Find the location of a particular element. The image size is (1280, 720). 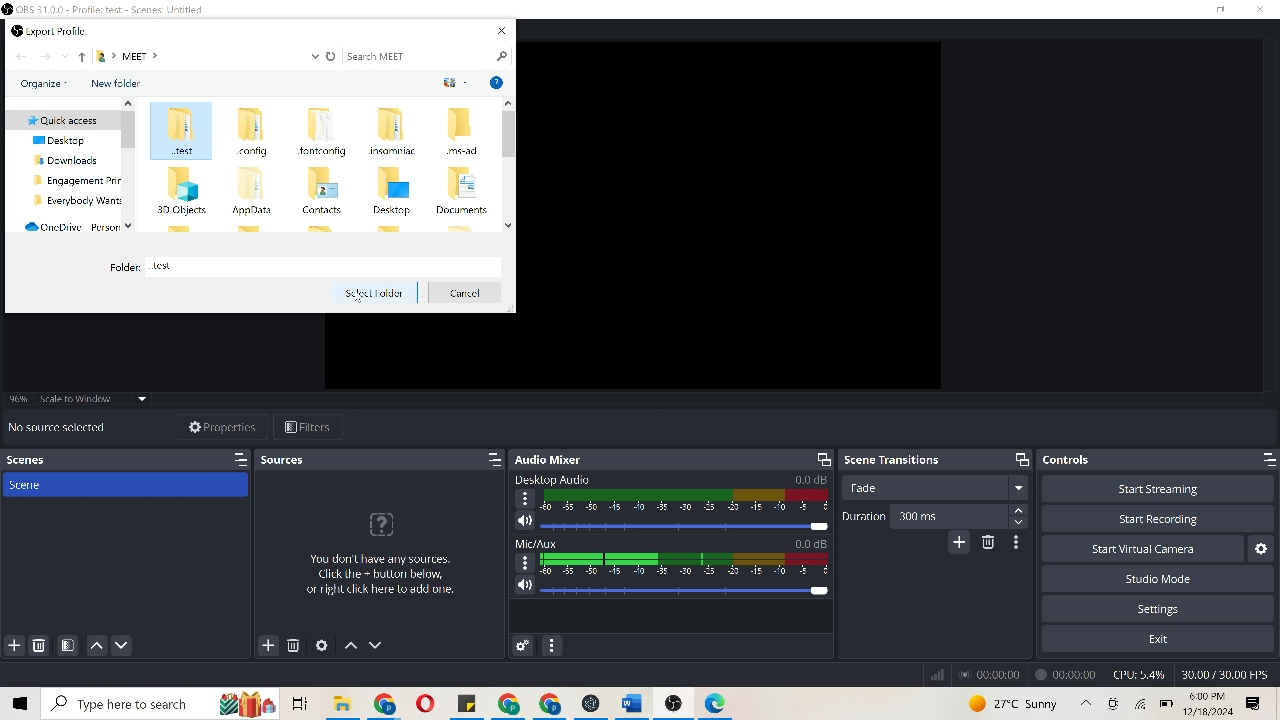

maximize is located at coordinates (237, 459).